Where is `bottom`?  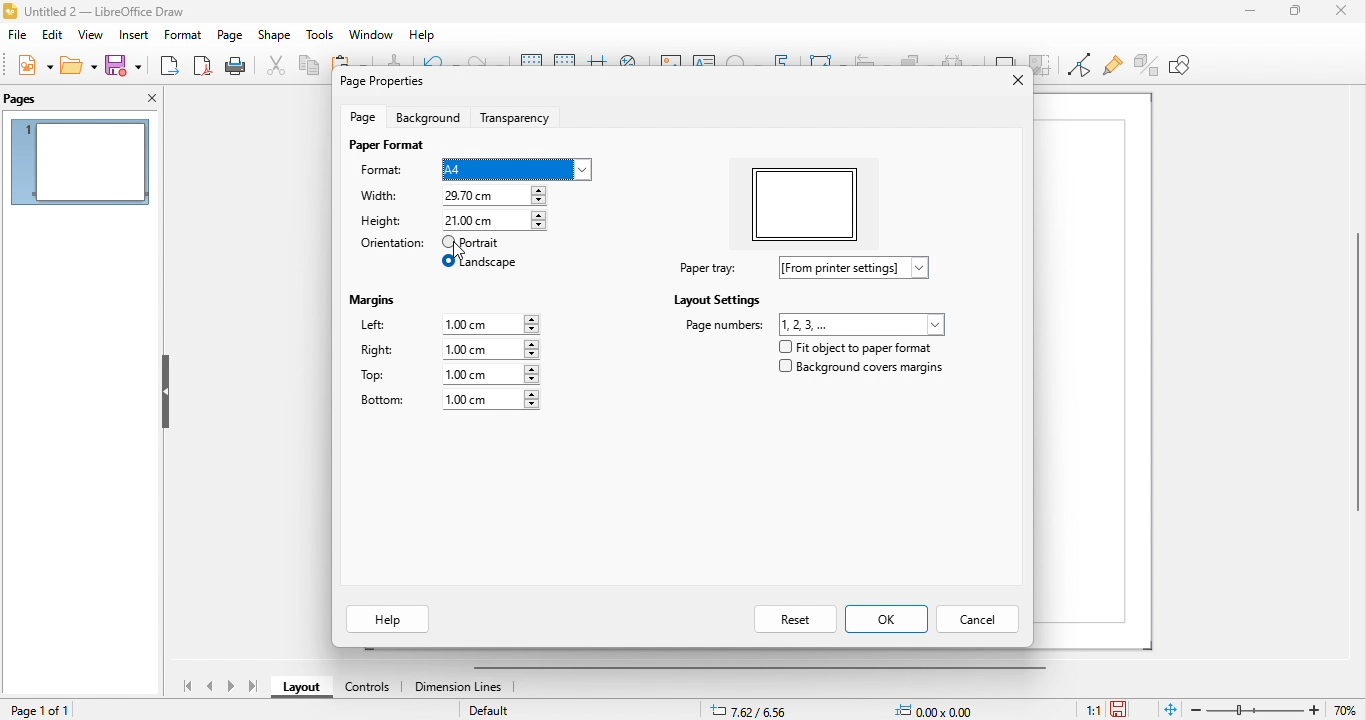 bottom is located at coordinates (444, 401).